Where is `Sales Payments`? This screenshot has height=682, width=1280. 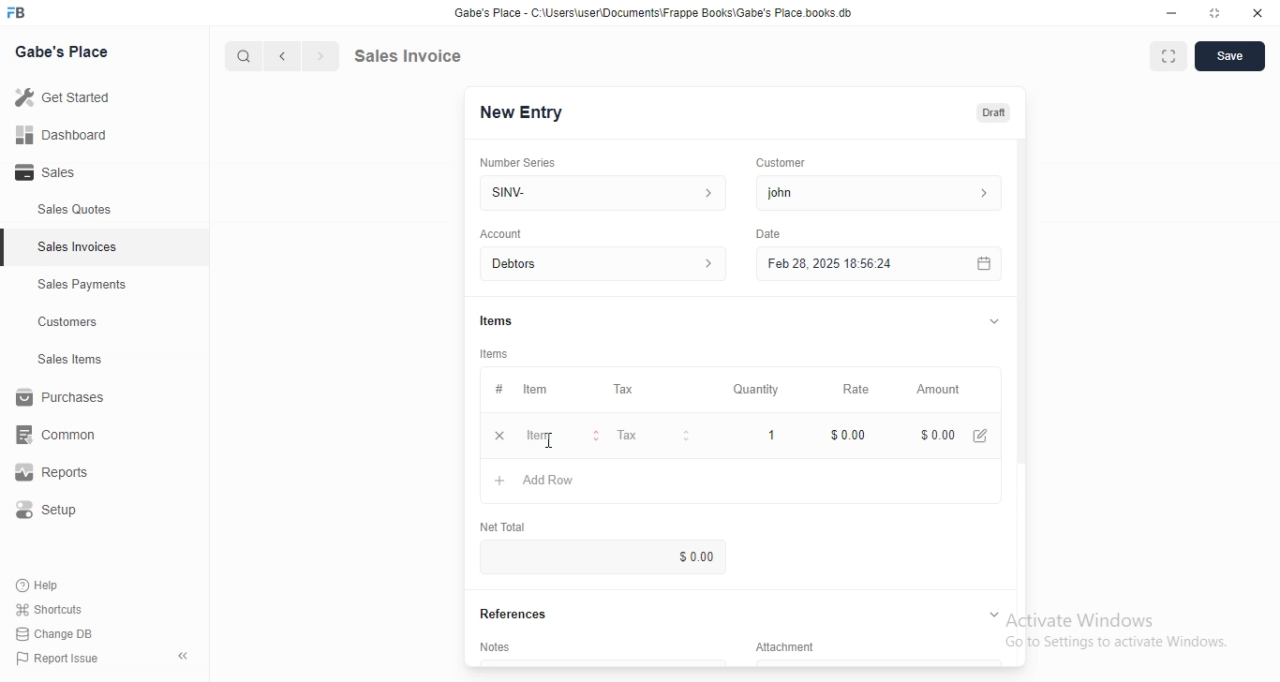
Sales Payments is located at coordinates (77, 285).